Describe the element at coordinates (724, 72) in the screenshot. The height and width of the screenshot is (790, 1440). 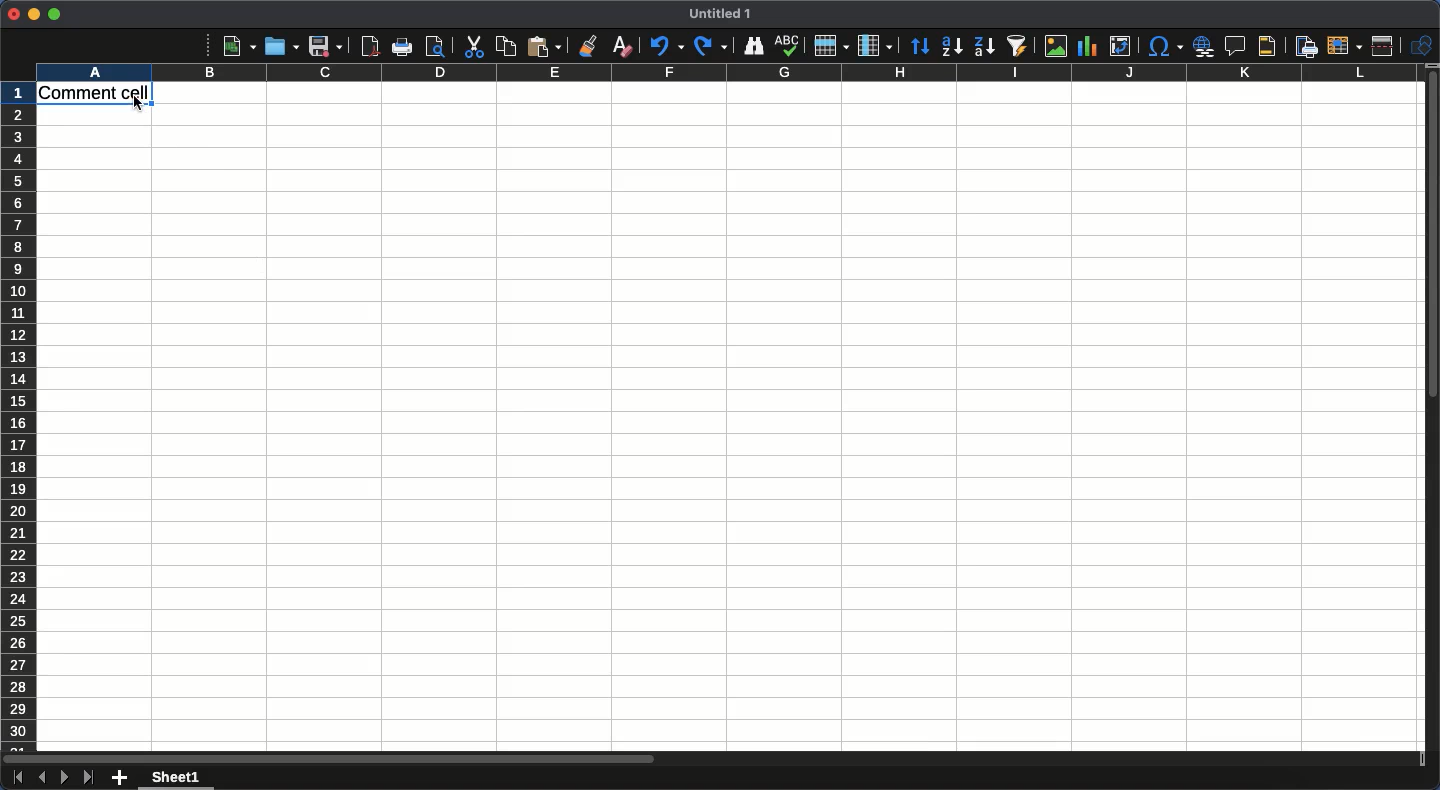
I see `Column` at that location.